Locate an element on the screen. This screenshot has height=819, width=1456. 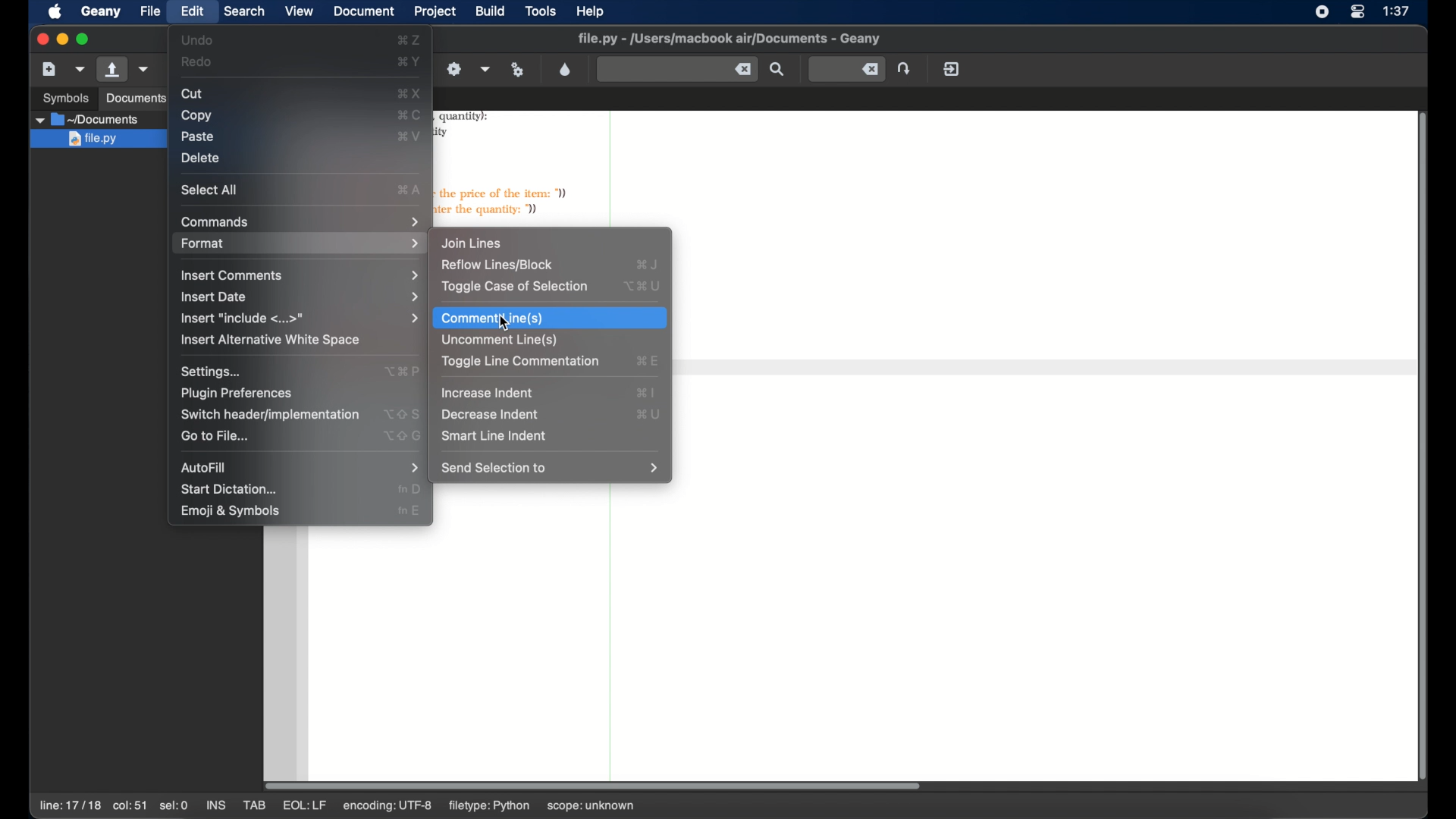
paste shortcut is located at coordinates (408, 136).